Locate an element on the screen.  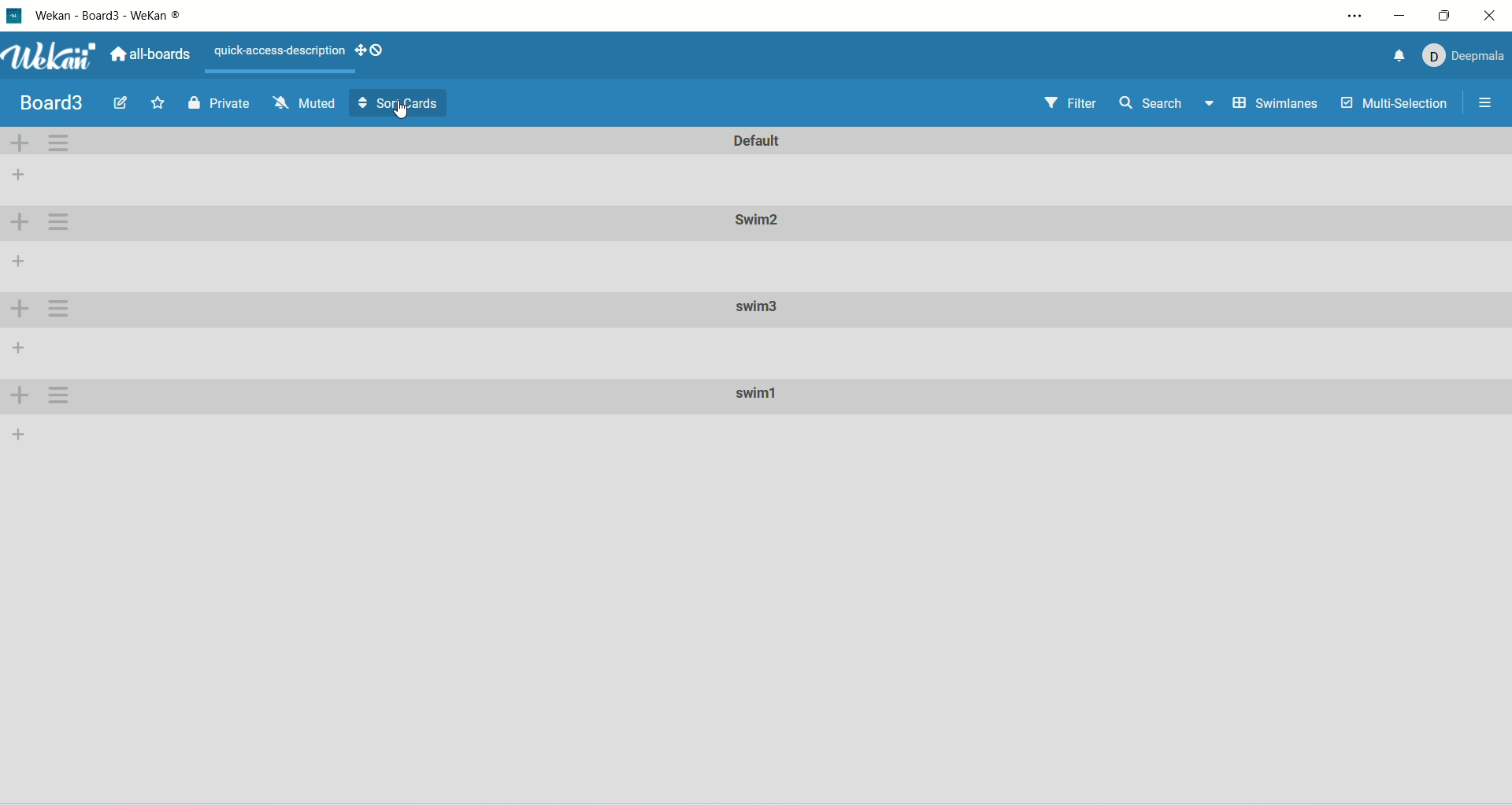
default is located at coordinates (760, 140).